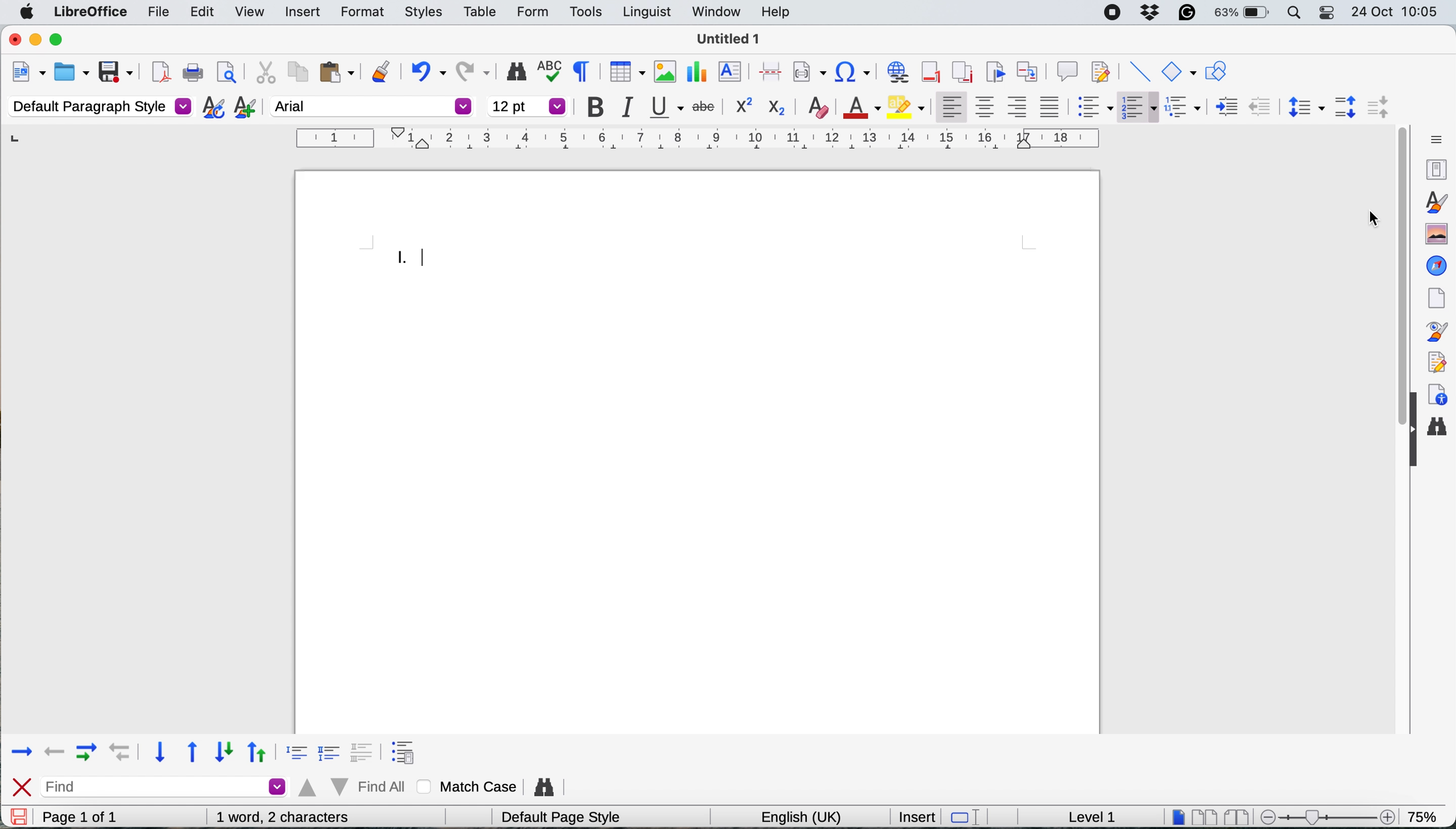 Image resolution: width=1456 pixels, height=829 pixels. I want to click on window, so click(716, 14).